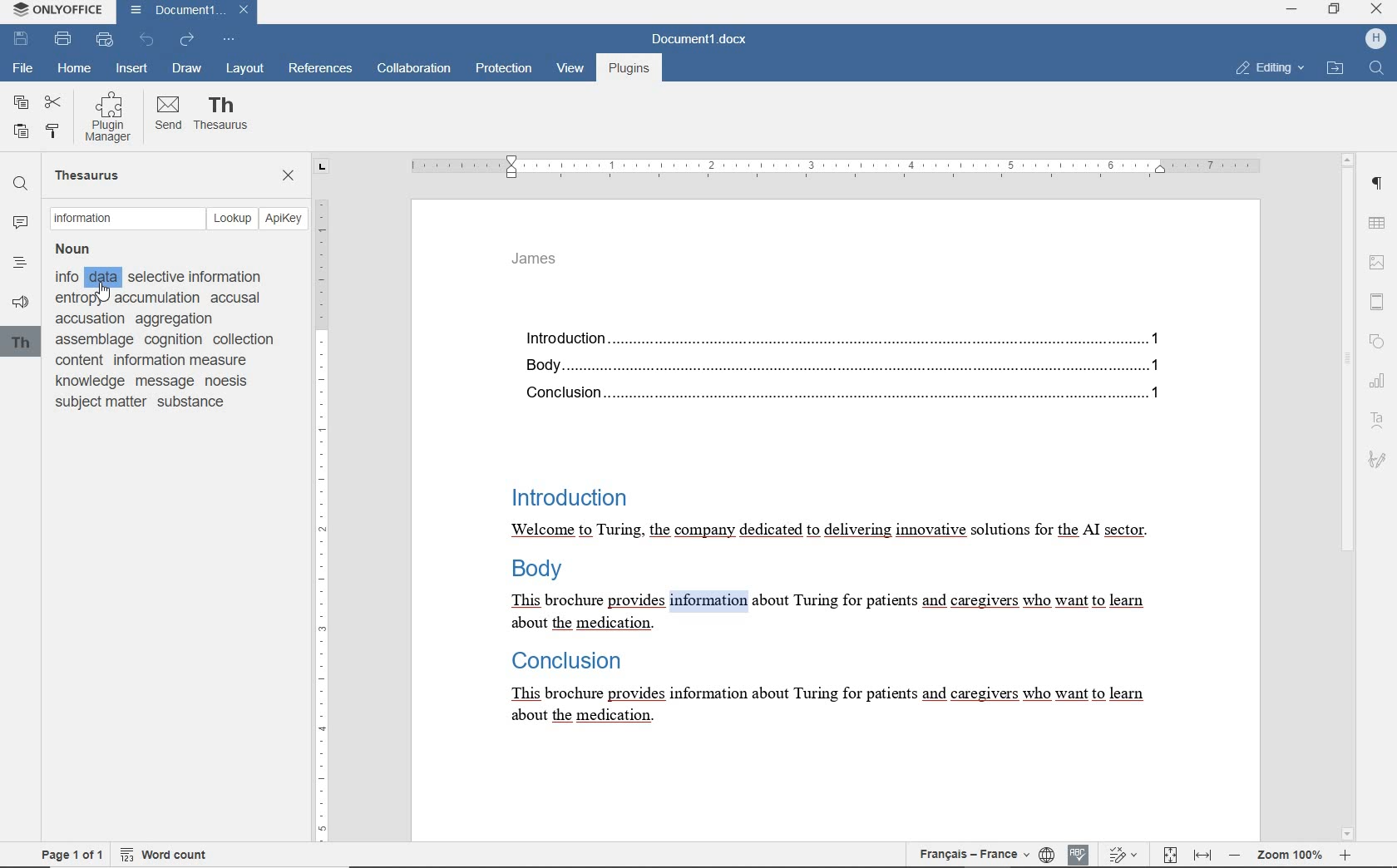  I want to click on TEXT FIELD, so click(126, 218).